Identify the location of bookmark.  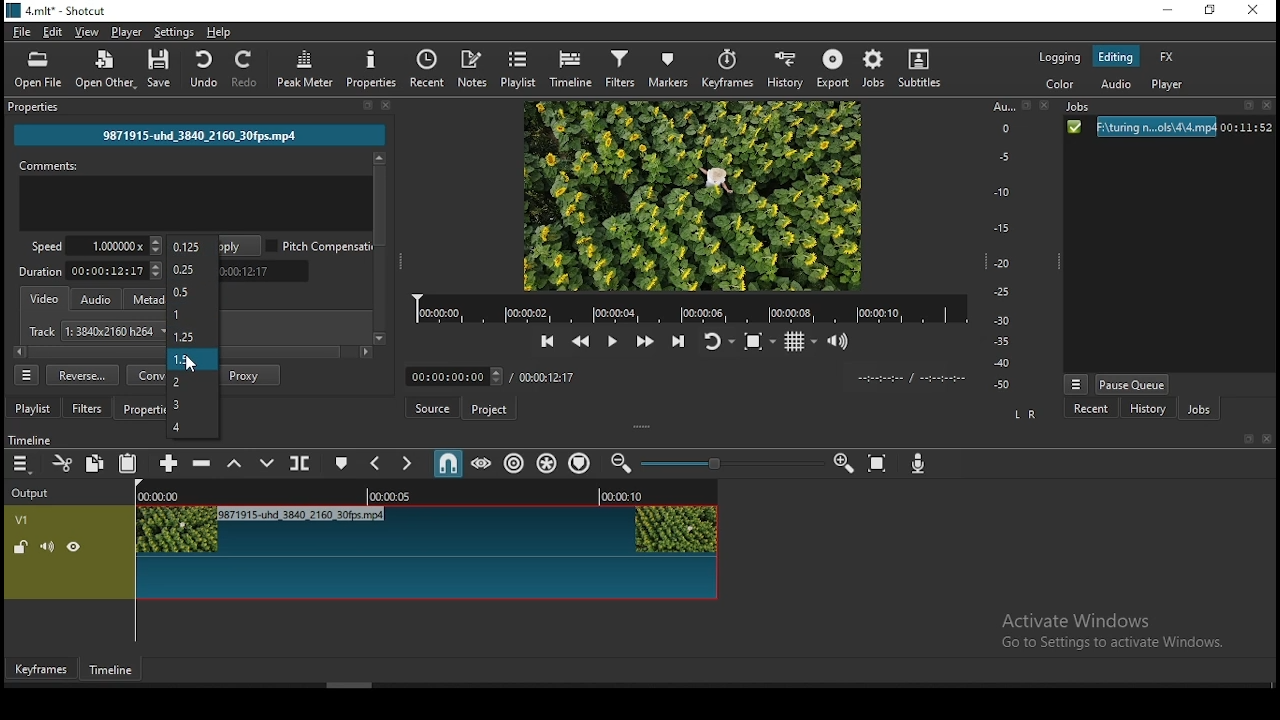
(1027, 107).